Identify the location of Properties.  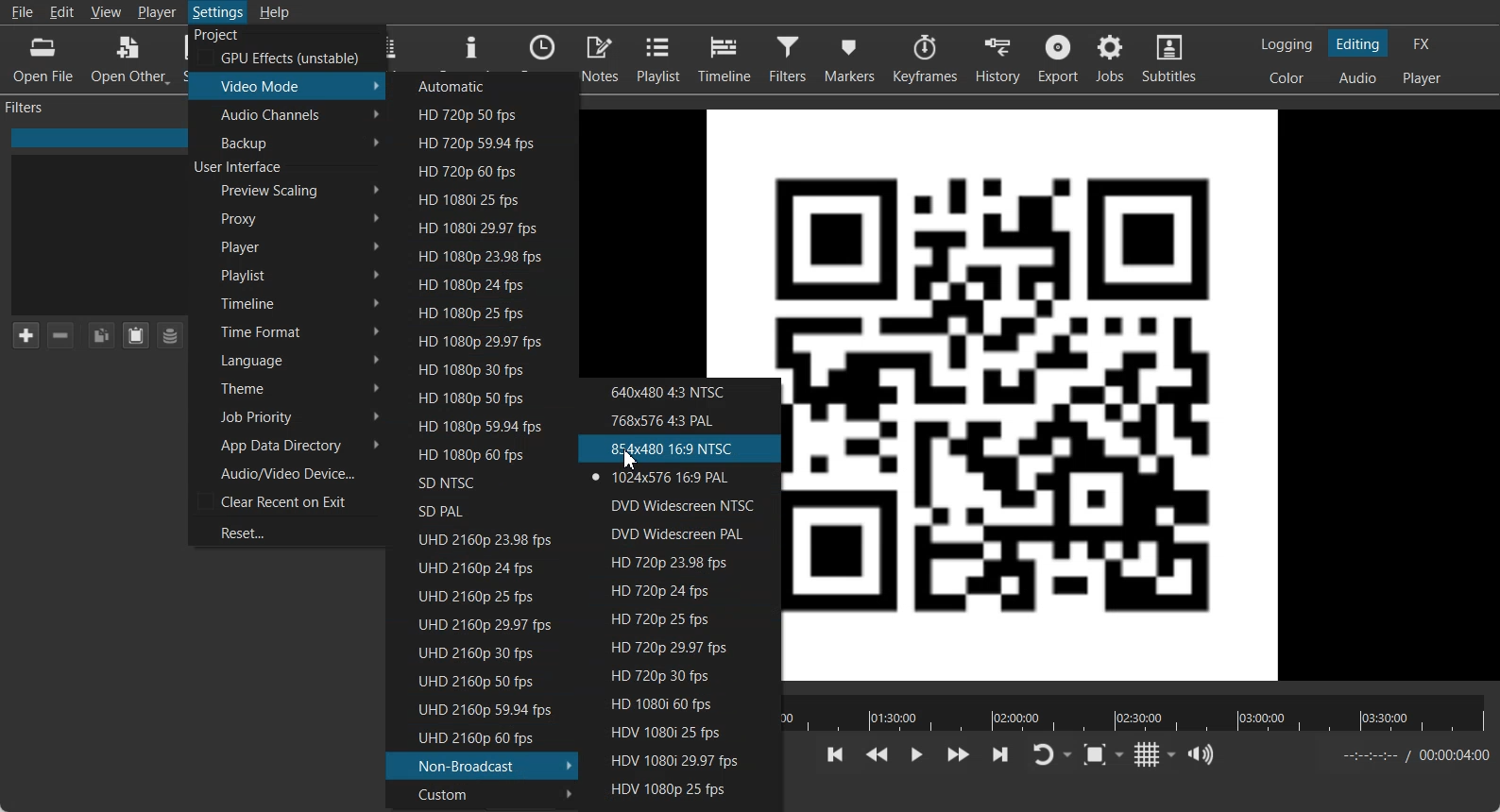
(471, 48).